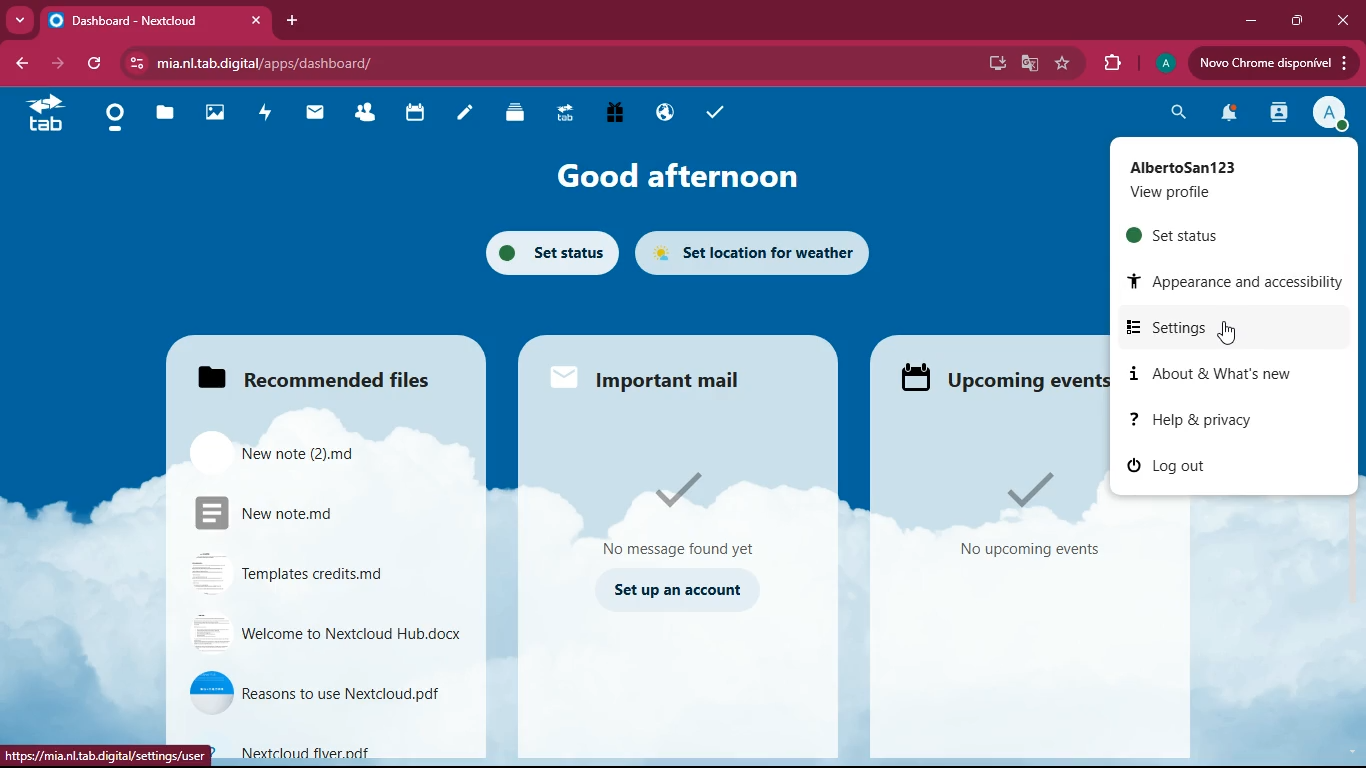 The height and width of the screenshot is (768, 1366). What do you see at coordinates (308, 376) in the screenshot?
I see `files` at bounding box center [308, 376].